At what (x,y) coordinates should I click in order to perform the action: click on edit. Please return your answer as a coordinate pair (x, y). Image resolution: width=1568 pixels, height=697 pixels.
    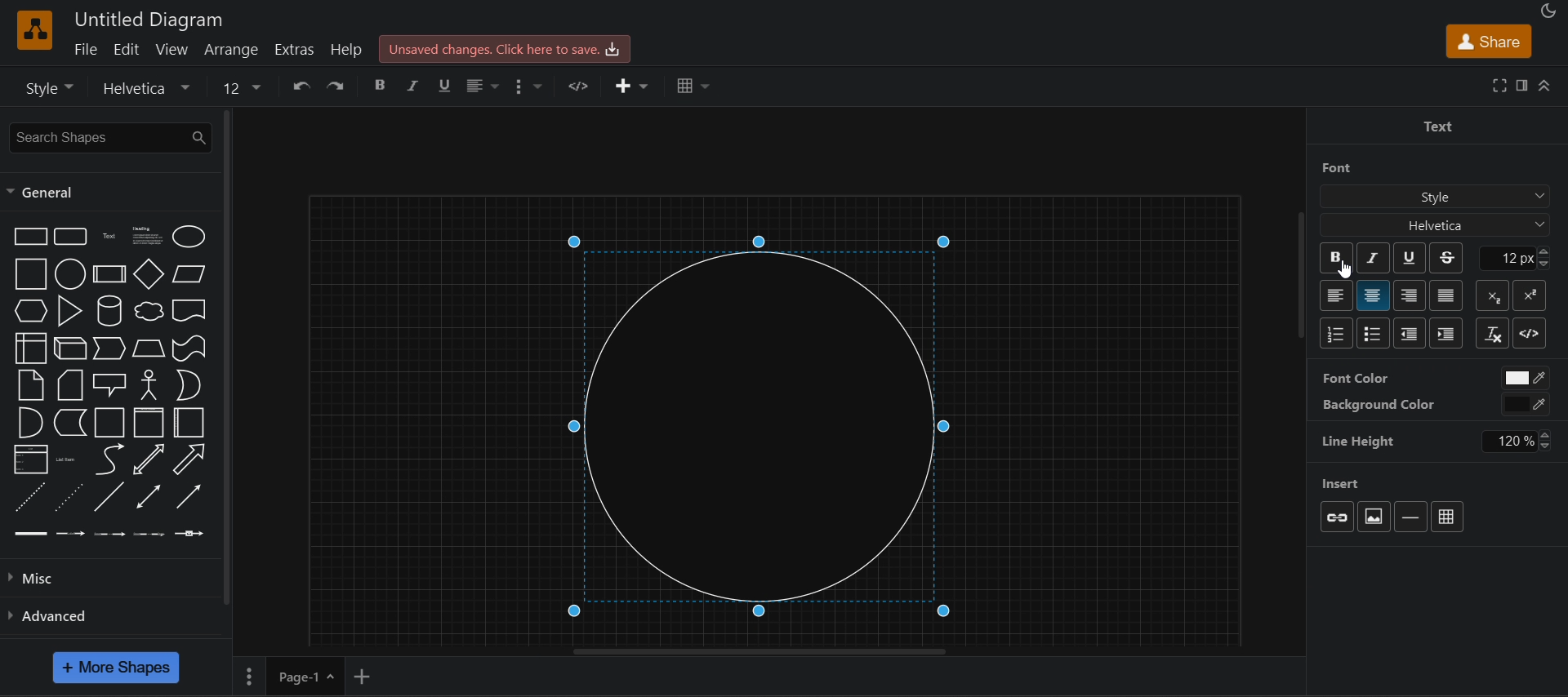
    Looking at the image, I should click on (129, 51).